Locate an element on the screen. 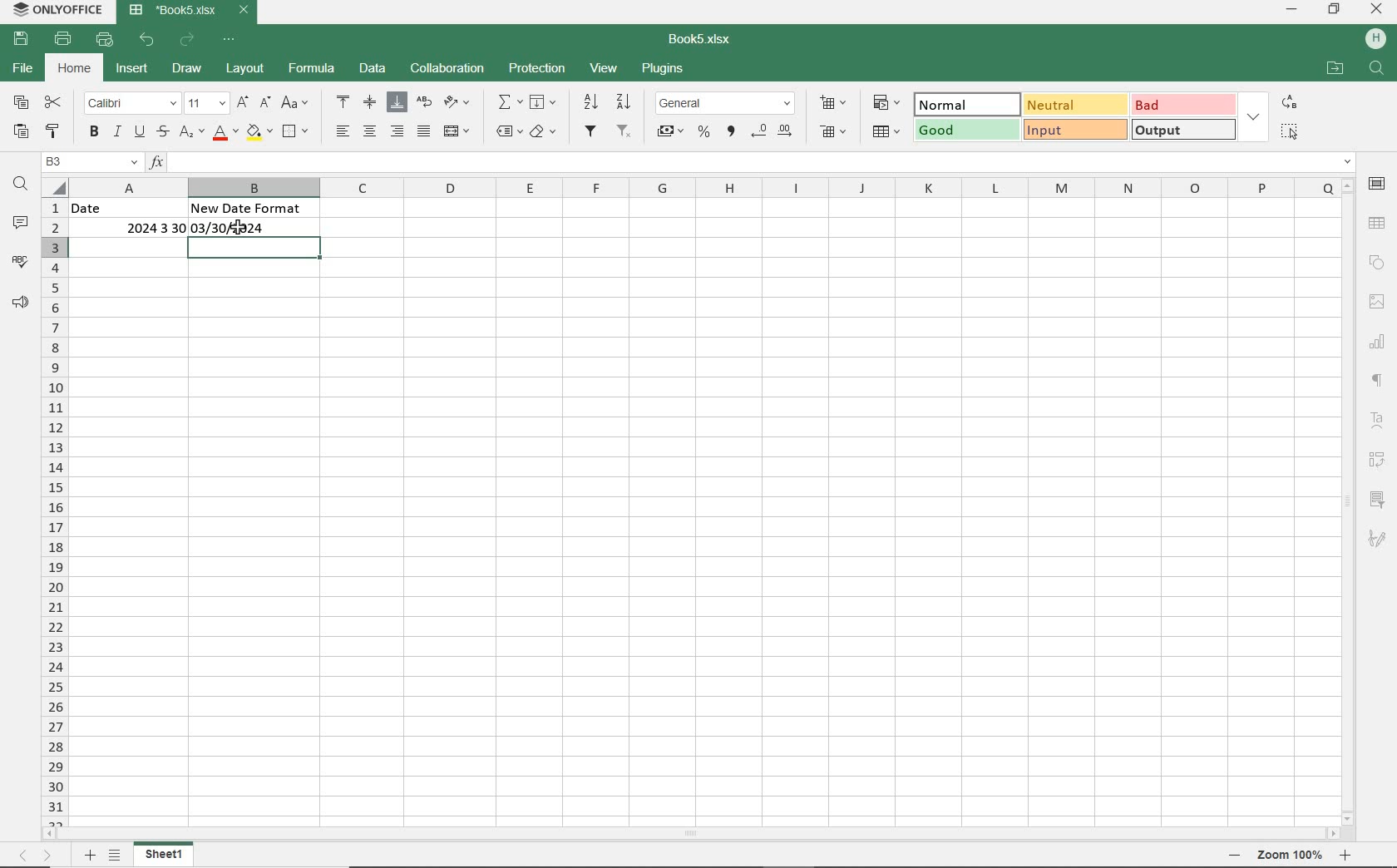  EXPAND is located at coordinates (1254, 119).